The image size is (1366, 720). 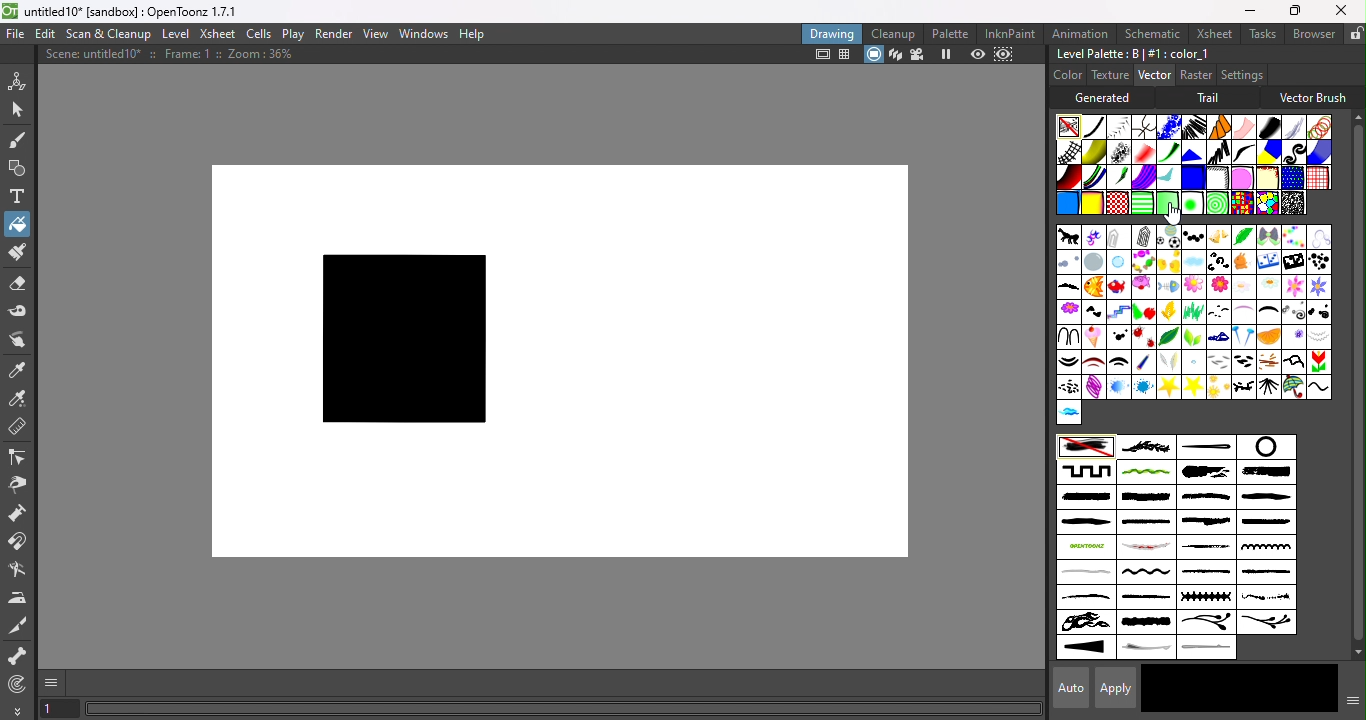 What do you see at coordinates (53, 683) in the screenshot?
I see `GUI show/hide` at bounding box center [53, 683].